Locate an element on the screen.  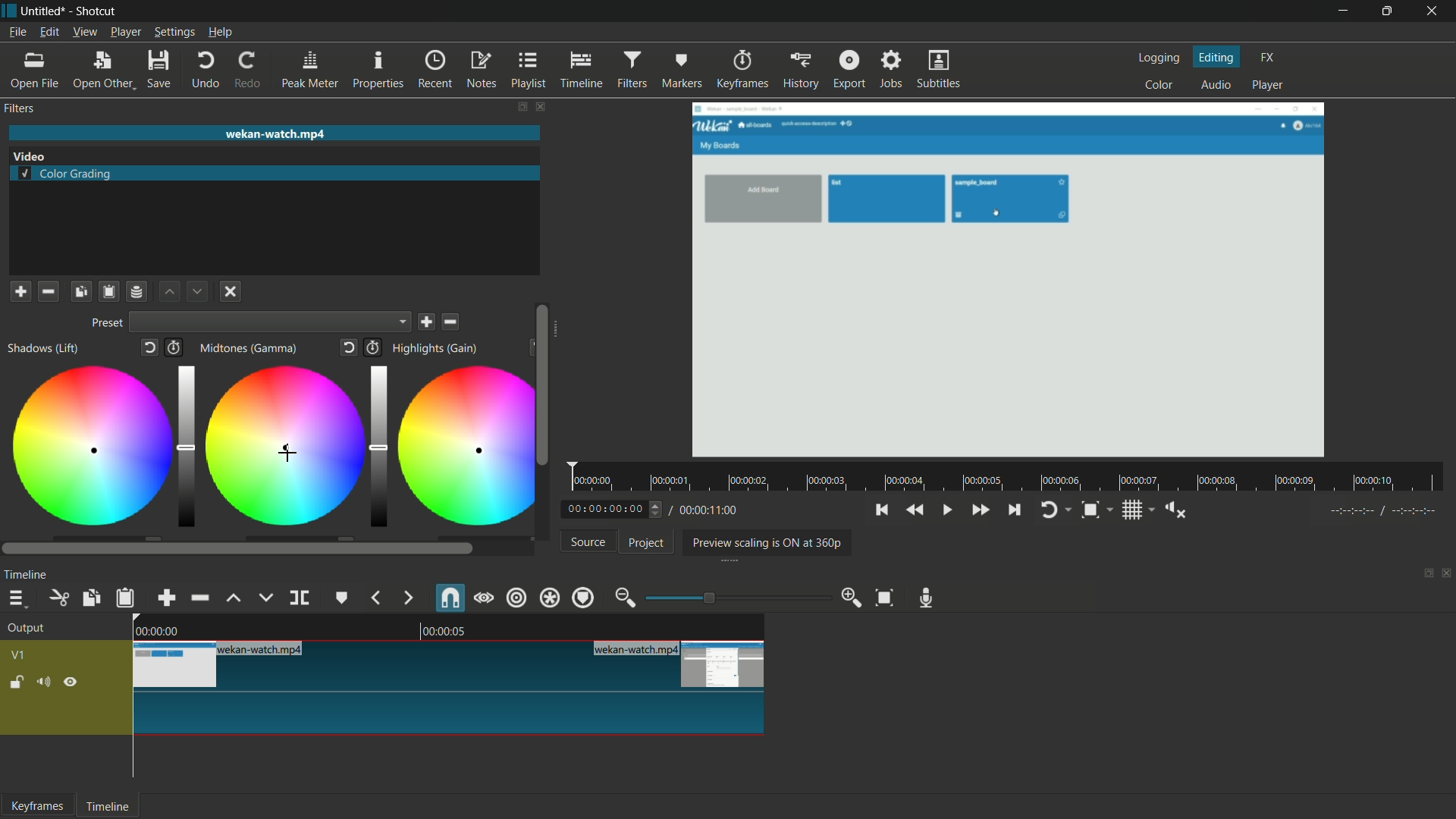
close timeline is located at coordinates (1447, 575).